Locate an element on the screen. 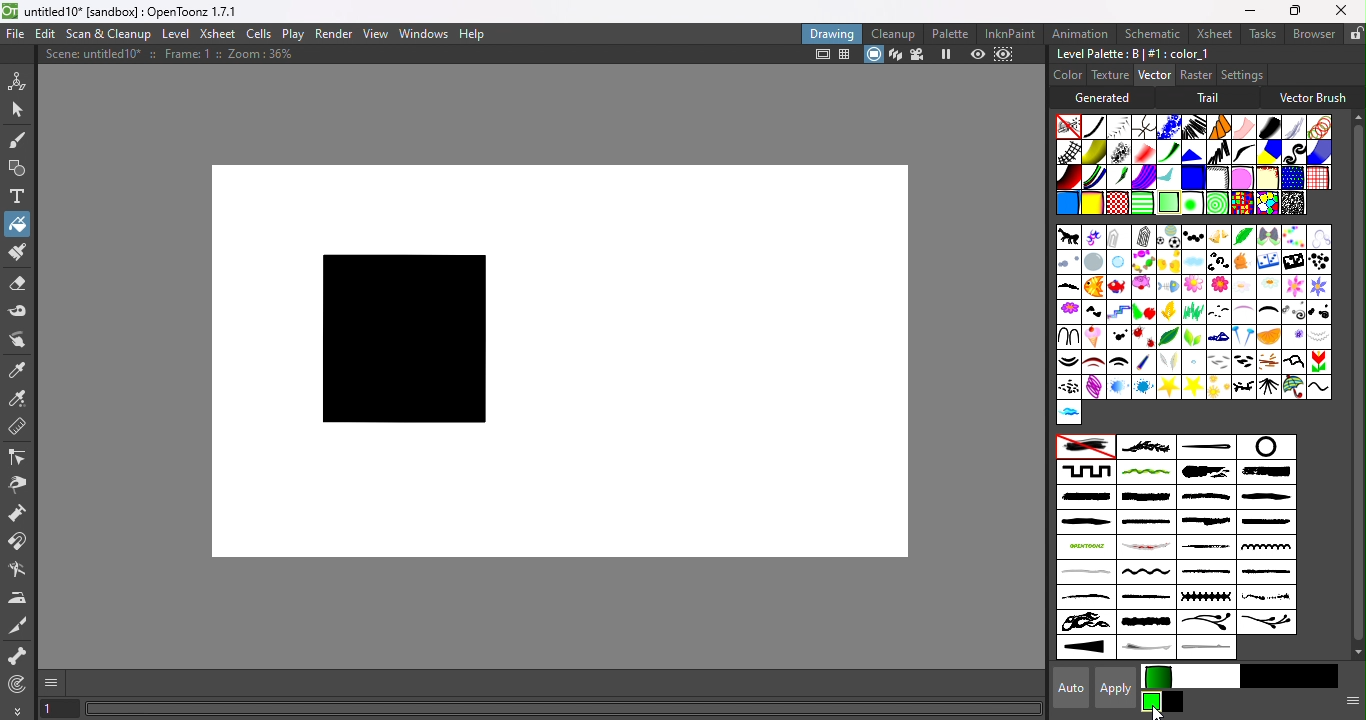 This screenshot has width=1366, height=720. Help is located at coordinates (477, 32).